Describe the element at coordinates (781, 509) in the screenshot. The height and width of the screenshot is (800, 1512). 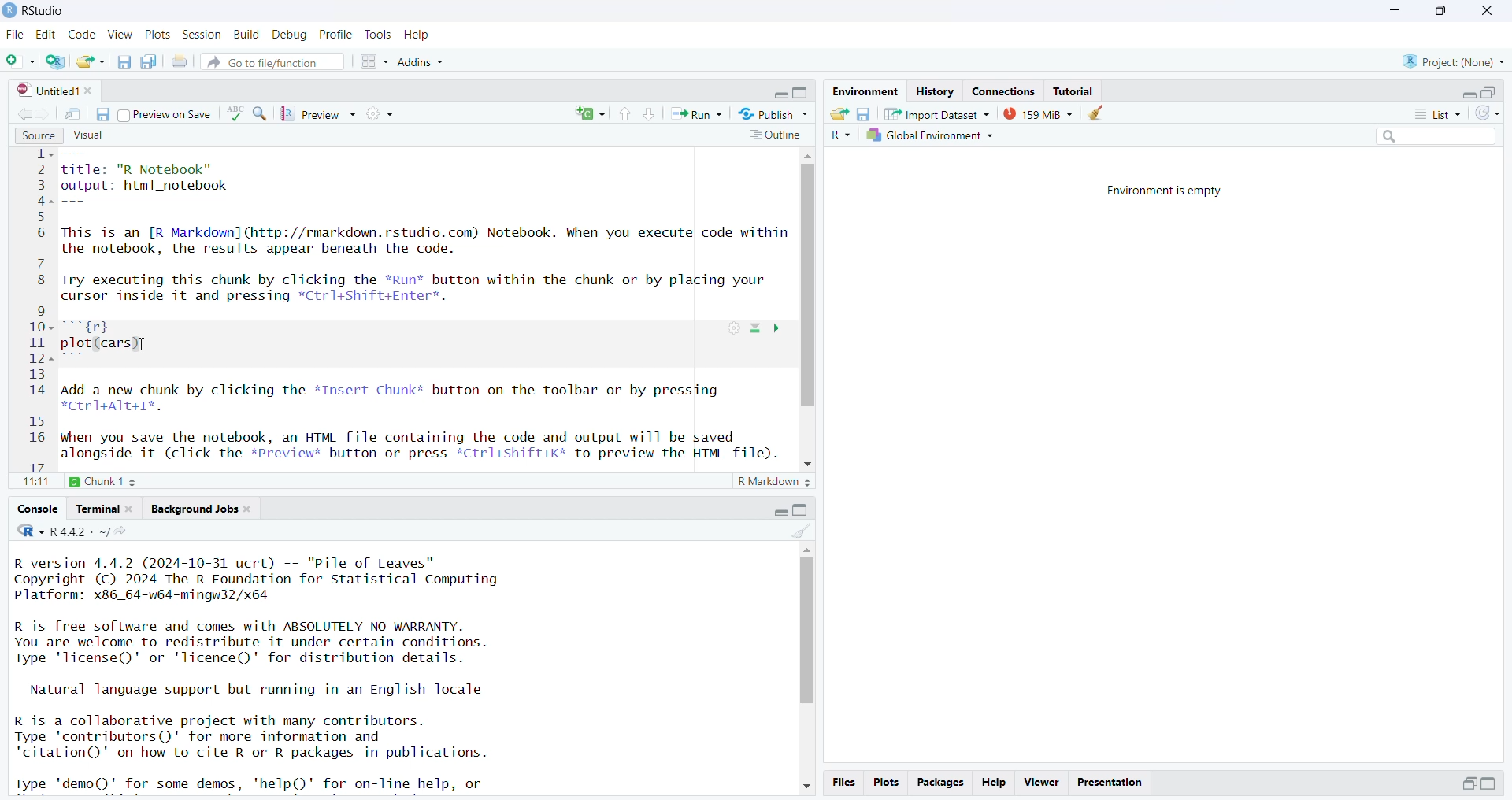
I see `expand` at that location.